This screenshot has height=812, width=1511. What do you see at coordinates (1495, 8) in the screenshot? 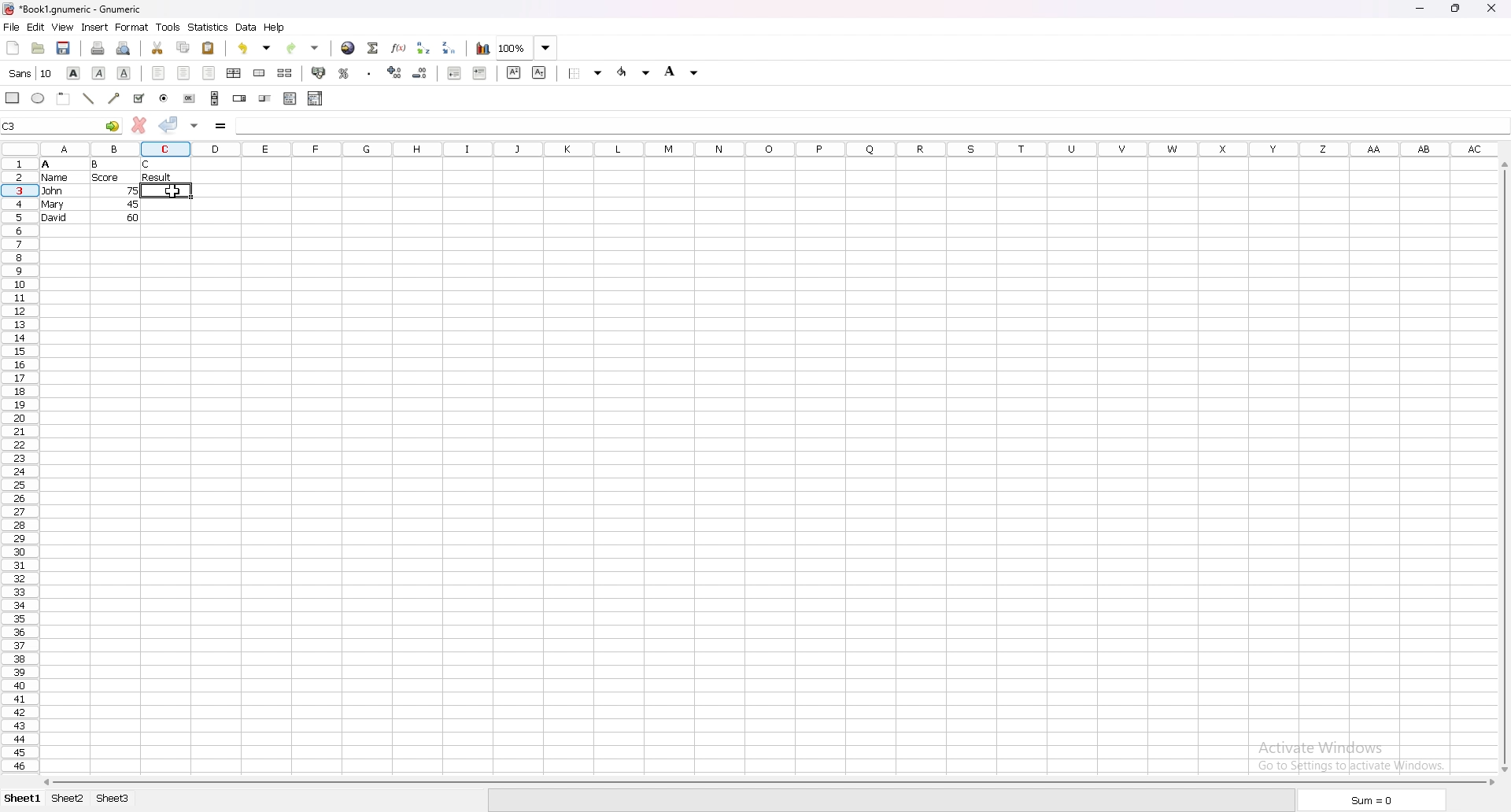
I see `close` at bounding box center [1495, 8].